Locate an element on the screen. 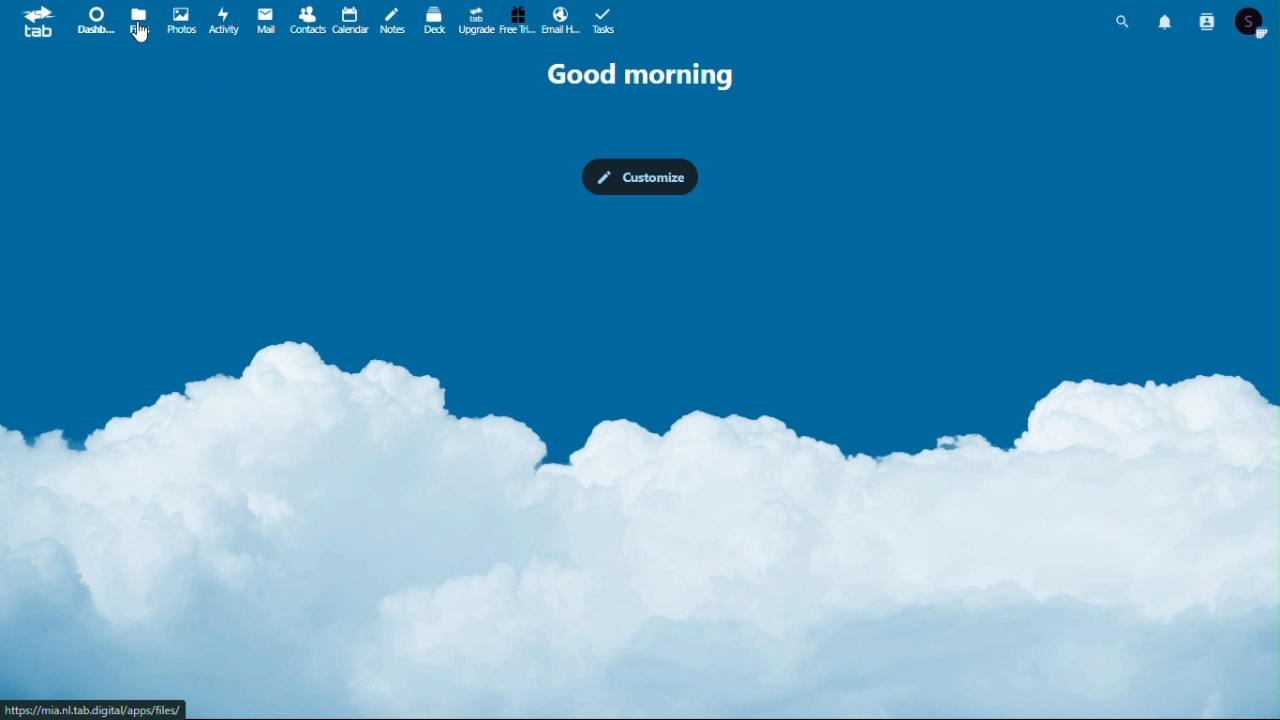 The height and width of the screenshot is (720, 1280). photos is located at coordinates (179, 17).